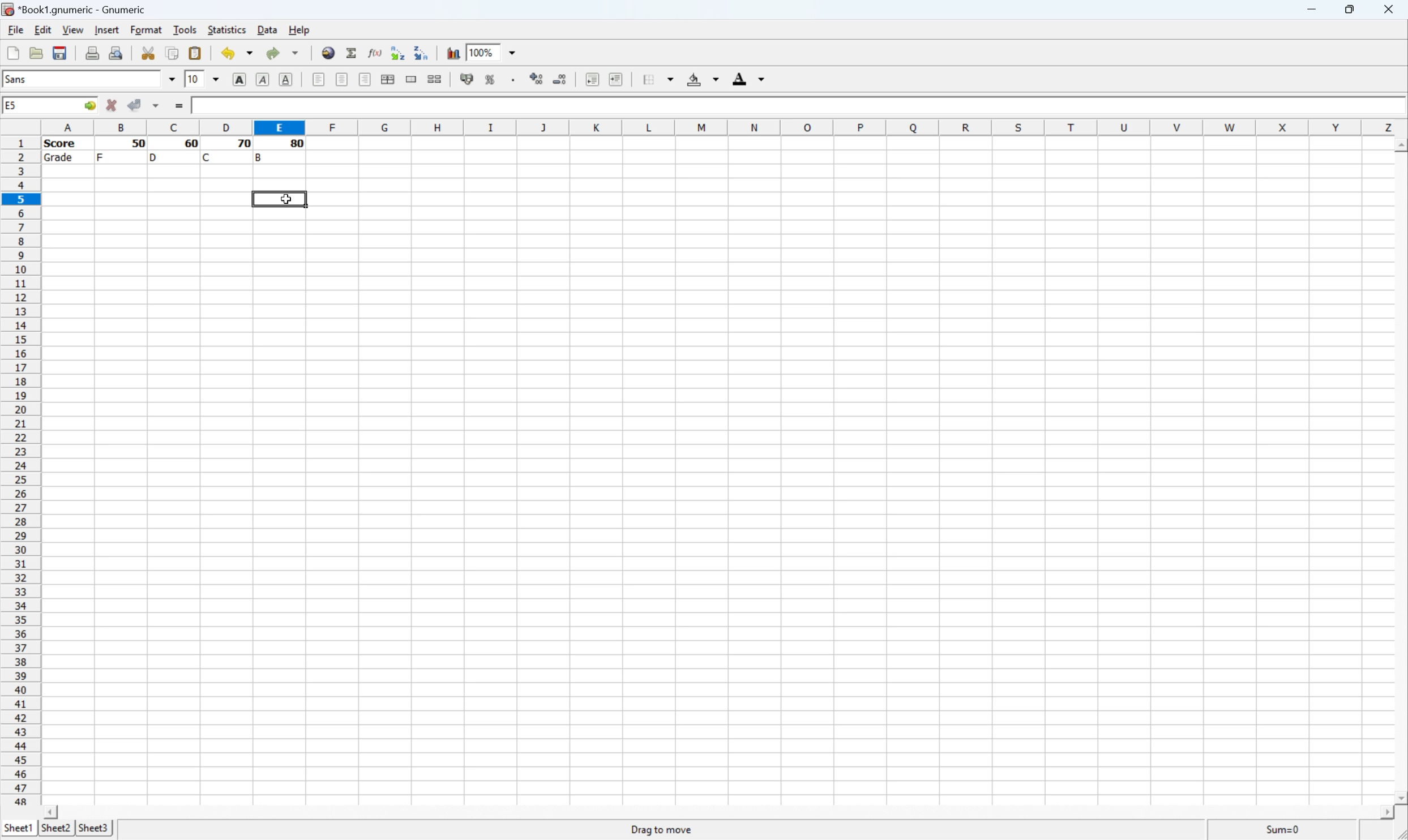 The image size is (1408, 840). Describe the element at coordinates (746, 78) in the screenshot. I see `Foreground` at that location.